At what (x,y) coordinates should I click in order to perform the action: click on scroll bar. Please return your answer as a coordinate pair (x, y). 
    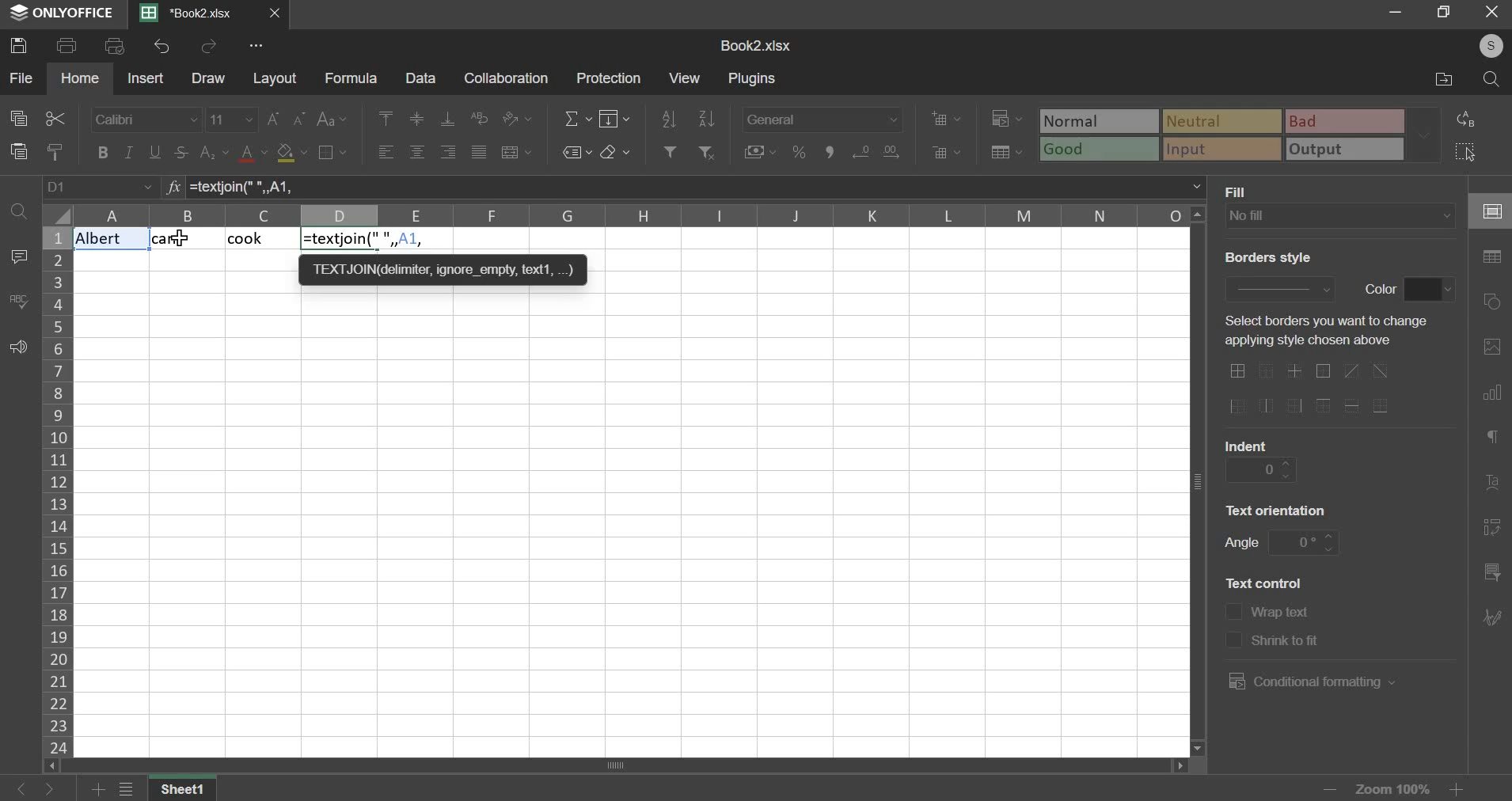
    Looking at the image, I should click on (613, 766).